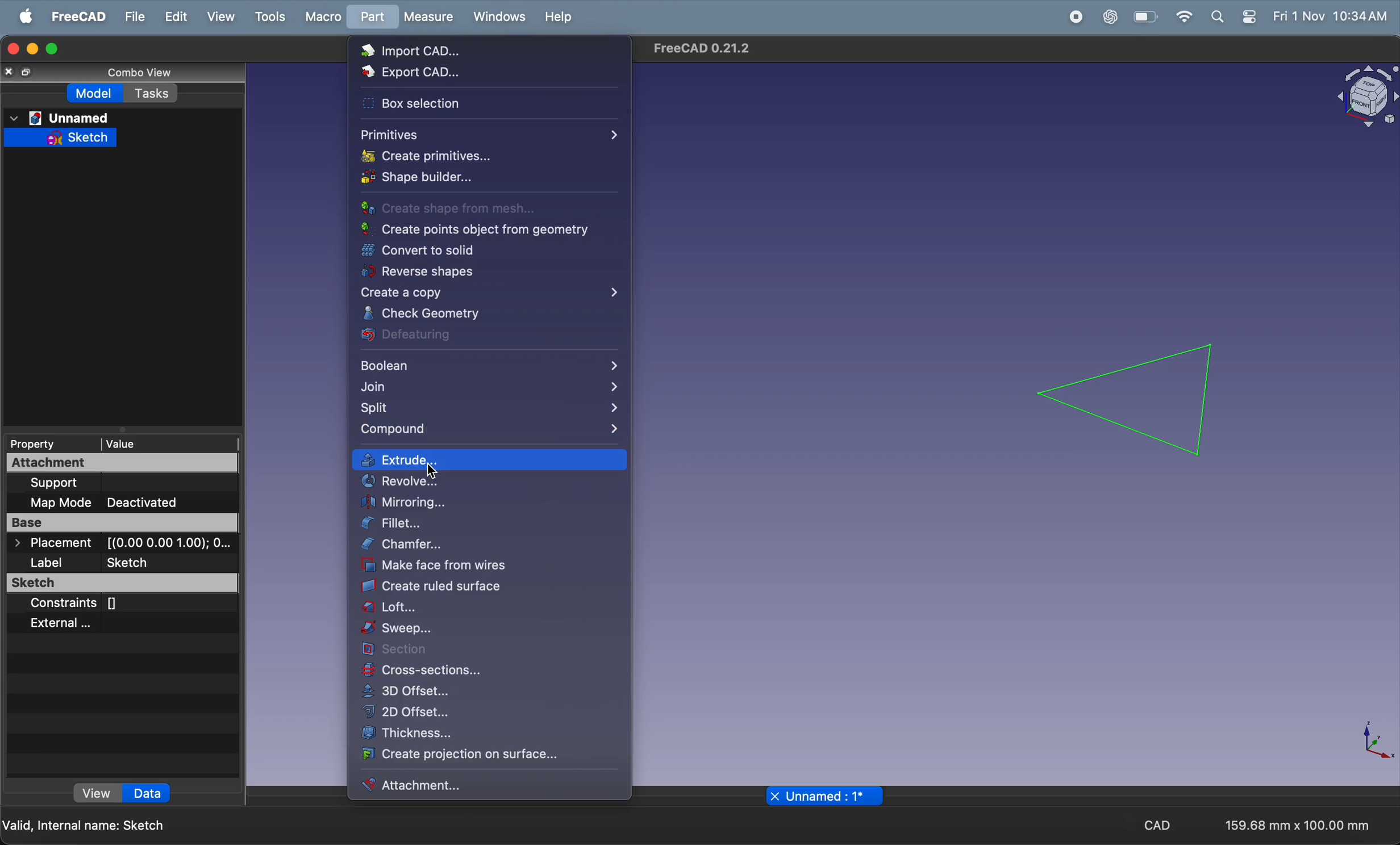  What do you see at coordinates (223, 16) in the screenshot?
I see `view` at bounding box center [223, 16].